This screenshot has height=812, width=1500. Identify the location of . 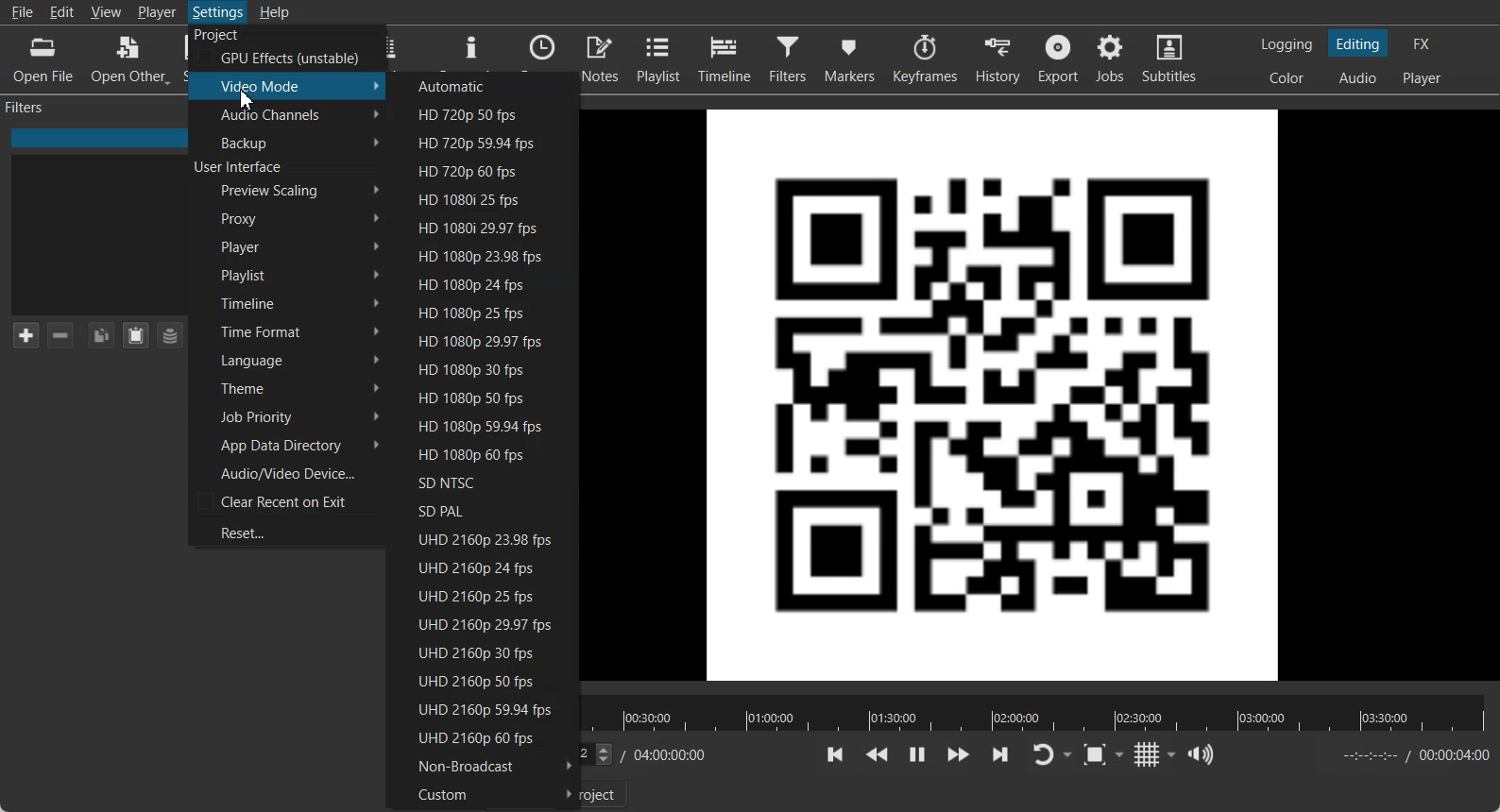
(169, 335).